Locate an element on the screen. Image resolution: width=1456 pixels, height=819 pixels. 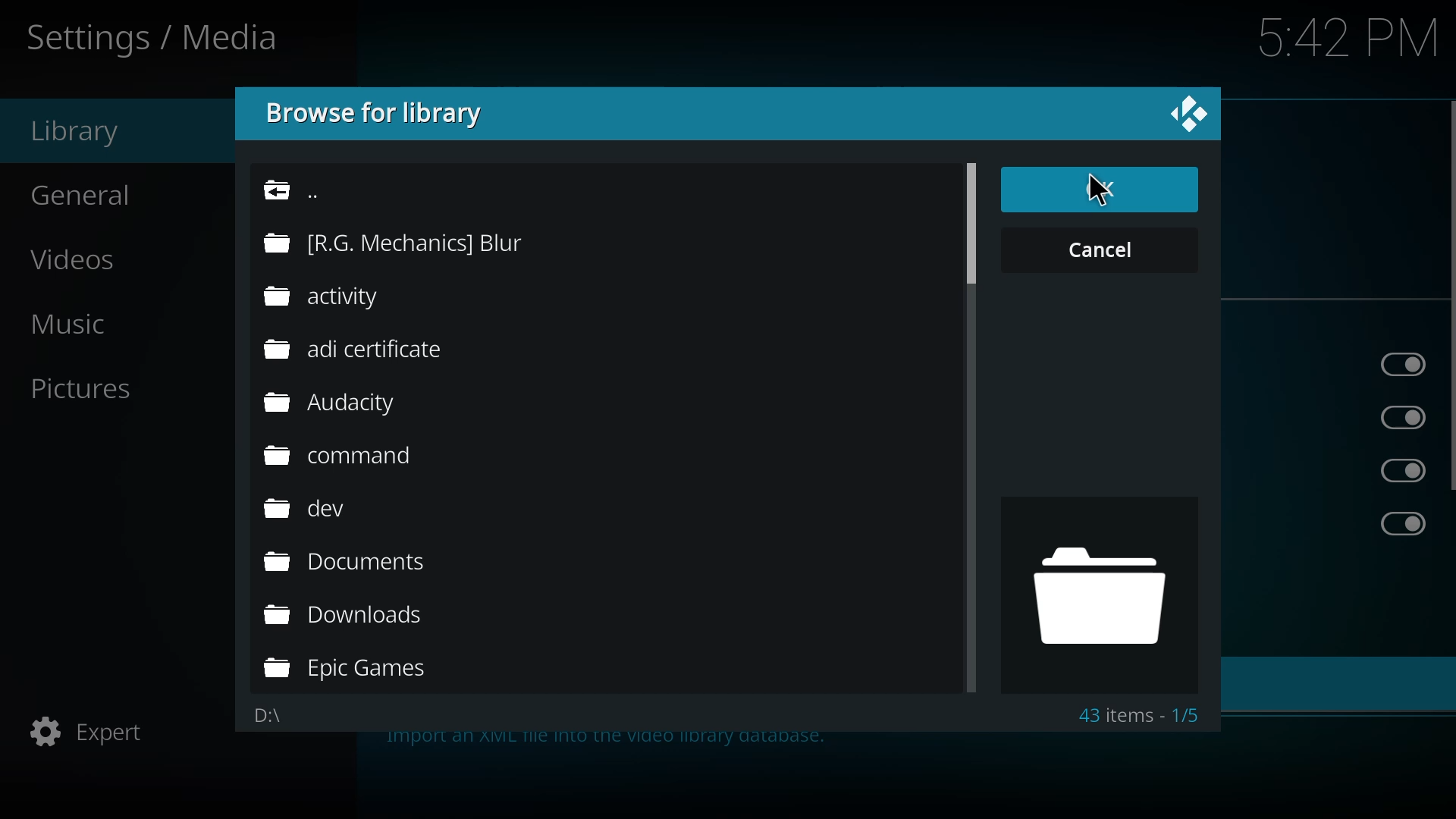
folder is located at coordinates (347, 617).